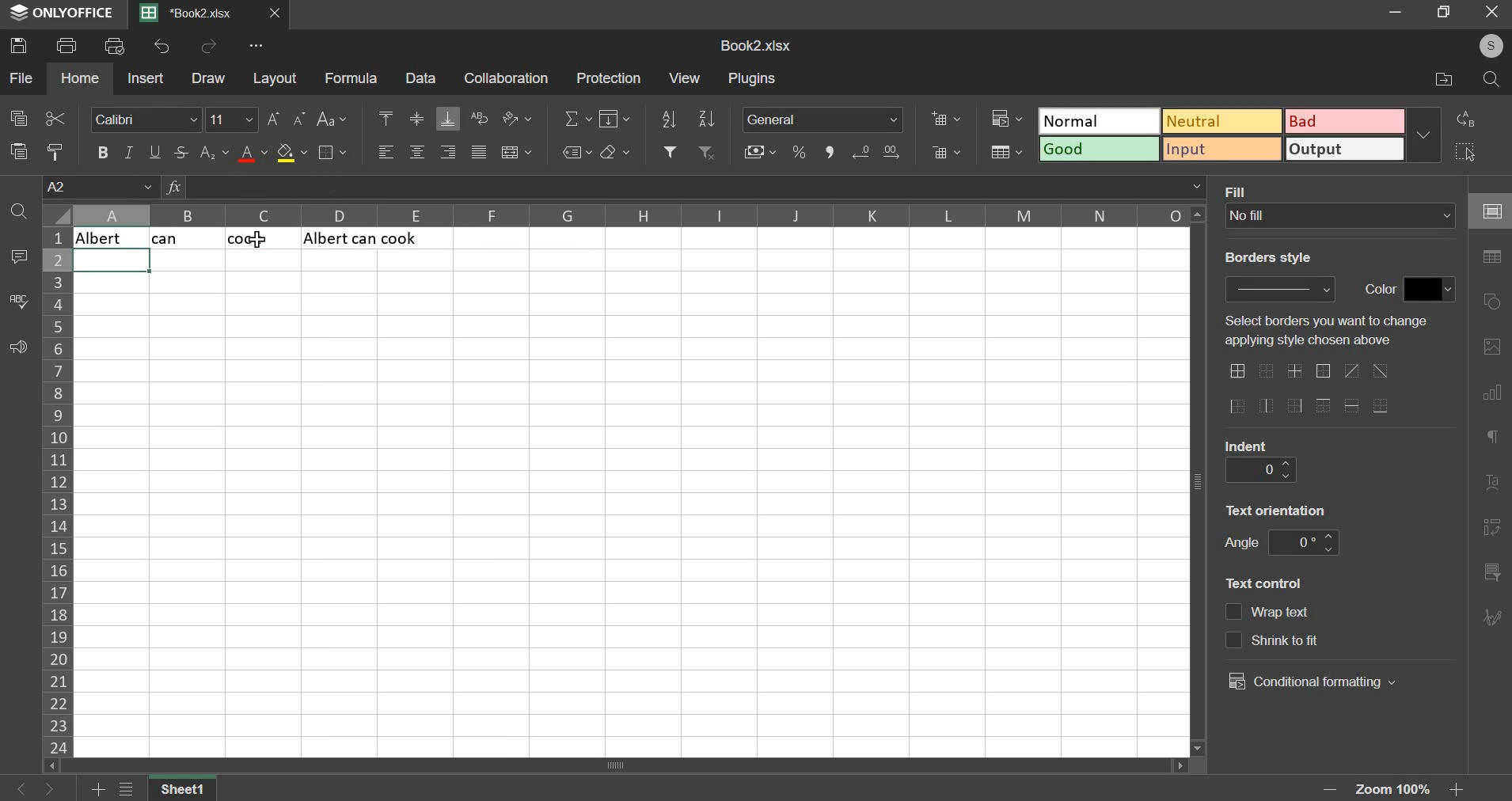 Image resolution: width=1512 pixels, height=801 pixels. What do you see at coordinates (1492, 529) in the screenshot?
I see `pivot table` at bounding box center [1492, 529].